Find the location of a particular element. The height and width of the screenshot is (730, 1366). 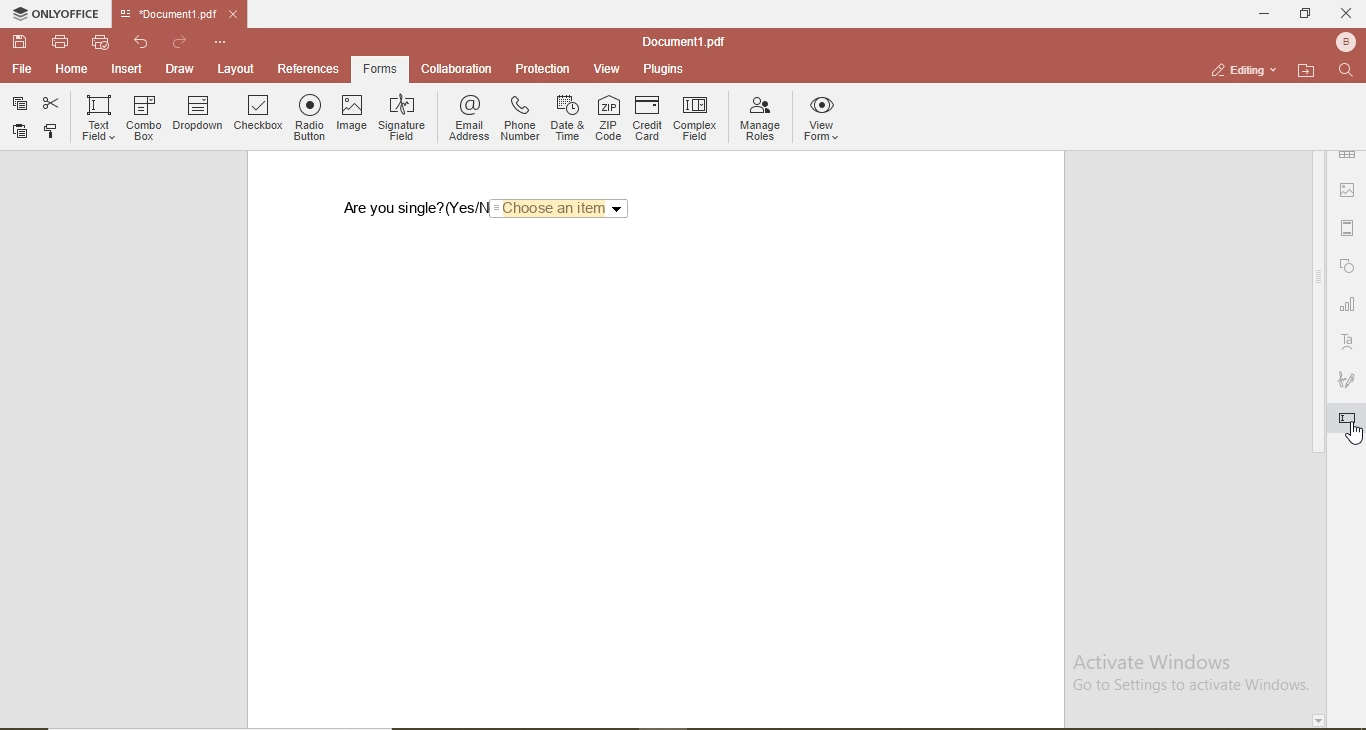

references is located at coordinates (309, 68).